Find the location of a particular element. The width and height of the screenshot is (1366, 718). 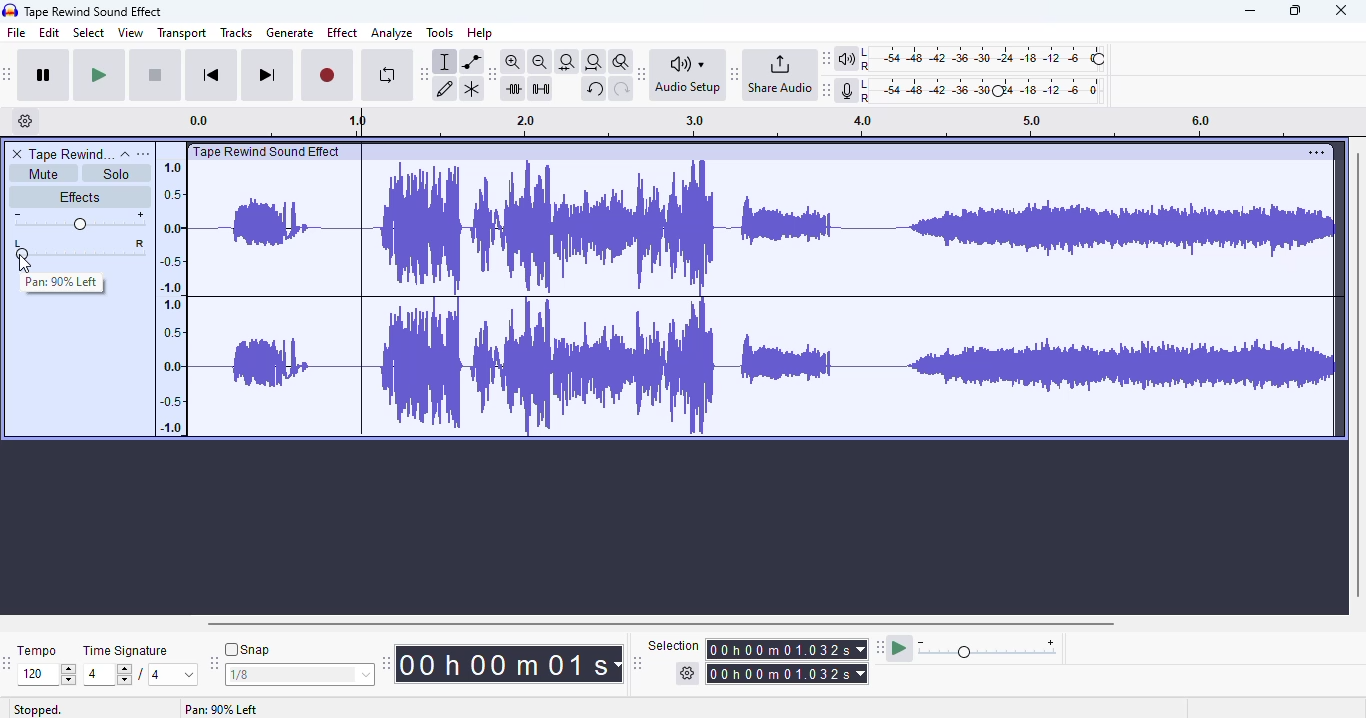

Pan 90% left is located at coordinates (220, 710).